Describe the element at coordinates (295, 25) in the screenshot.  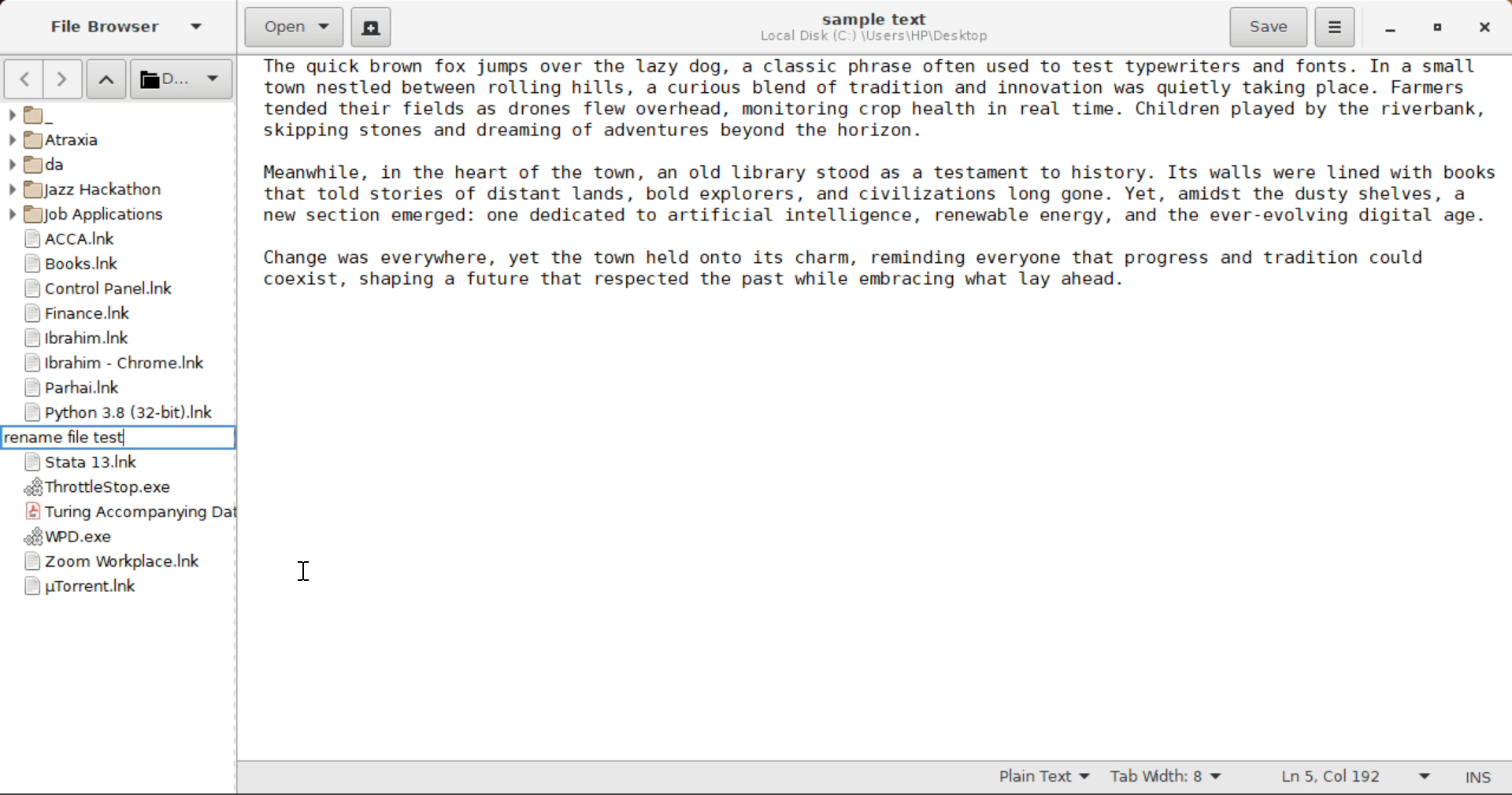
I see `Open Document` at that location.